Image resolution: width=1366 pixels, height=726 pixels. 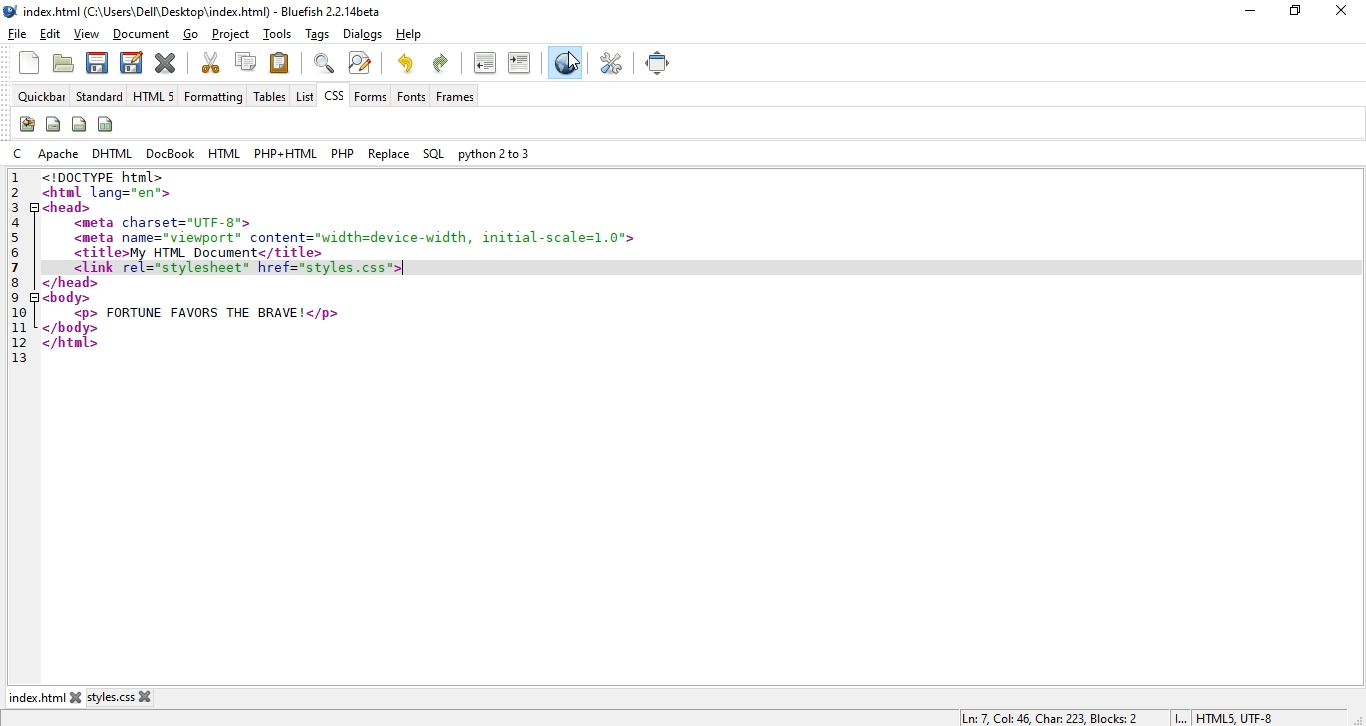 I want to click on redo, so click(x=444, y=61).